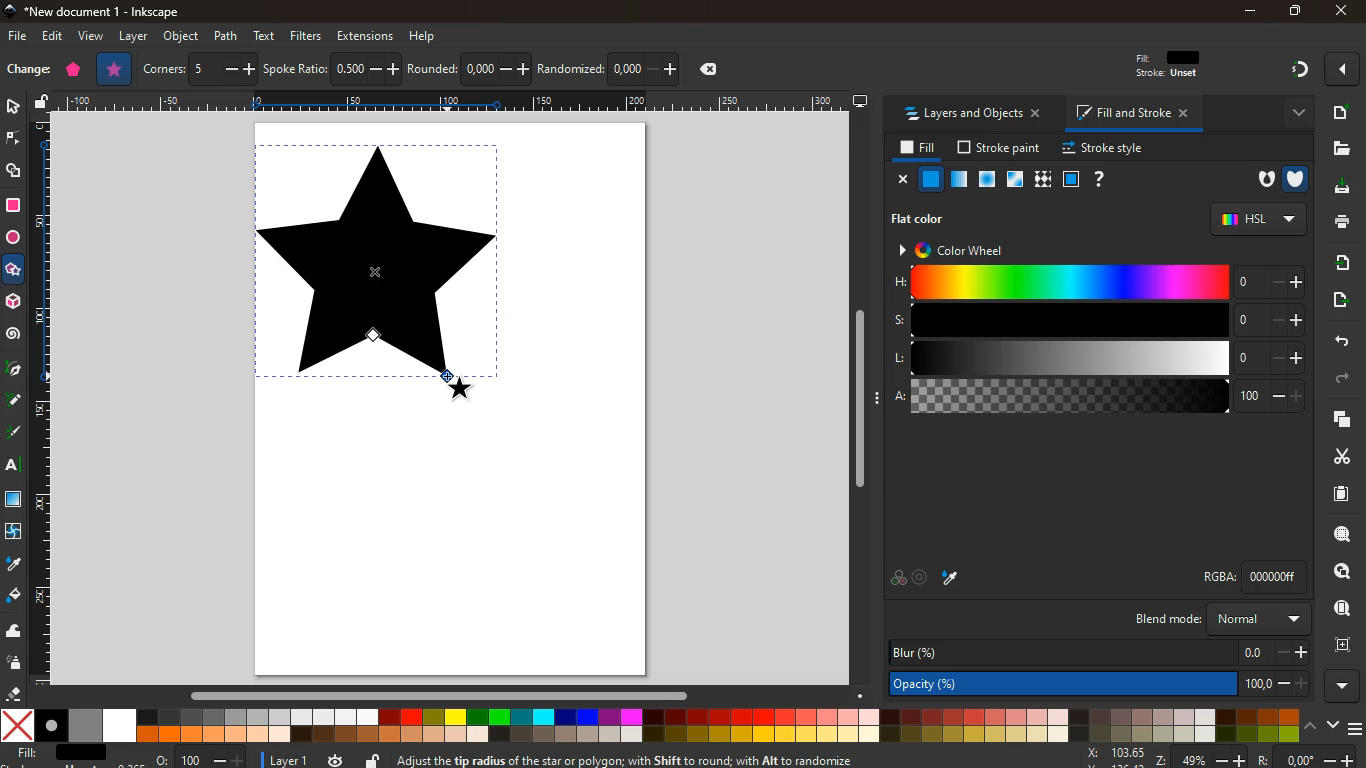  I want to click on fill, so click(1180, 66).